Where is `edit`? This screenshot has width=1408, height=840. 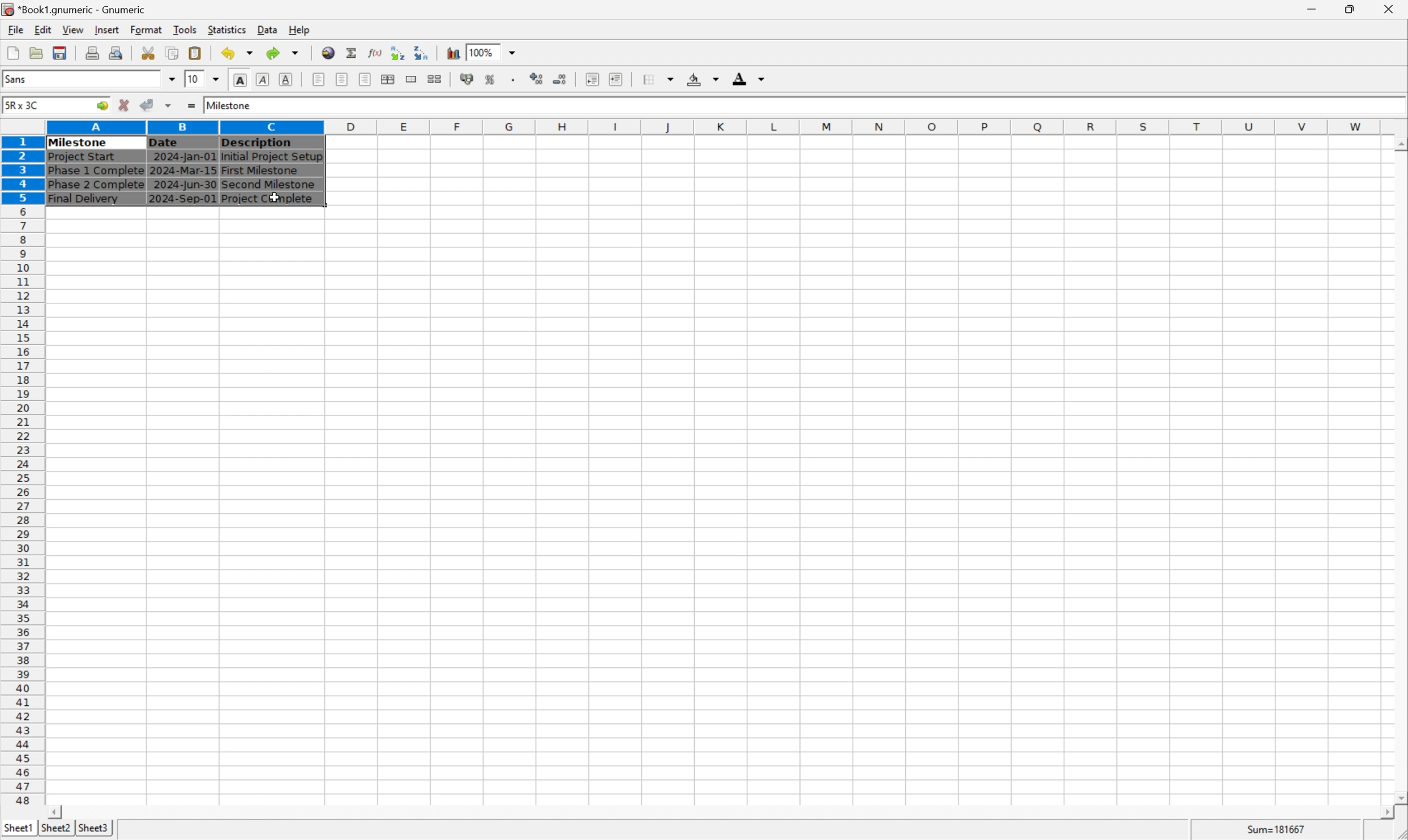 edit is located at coordinates (44, 29).